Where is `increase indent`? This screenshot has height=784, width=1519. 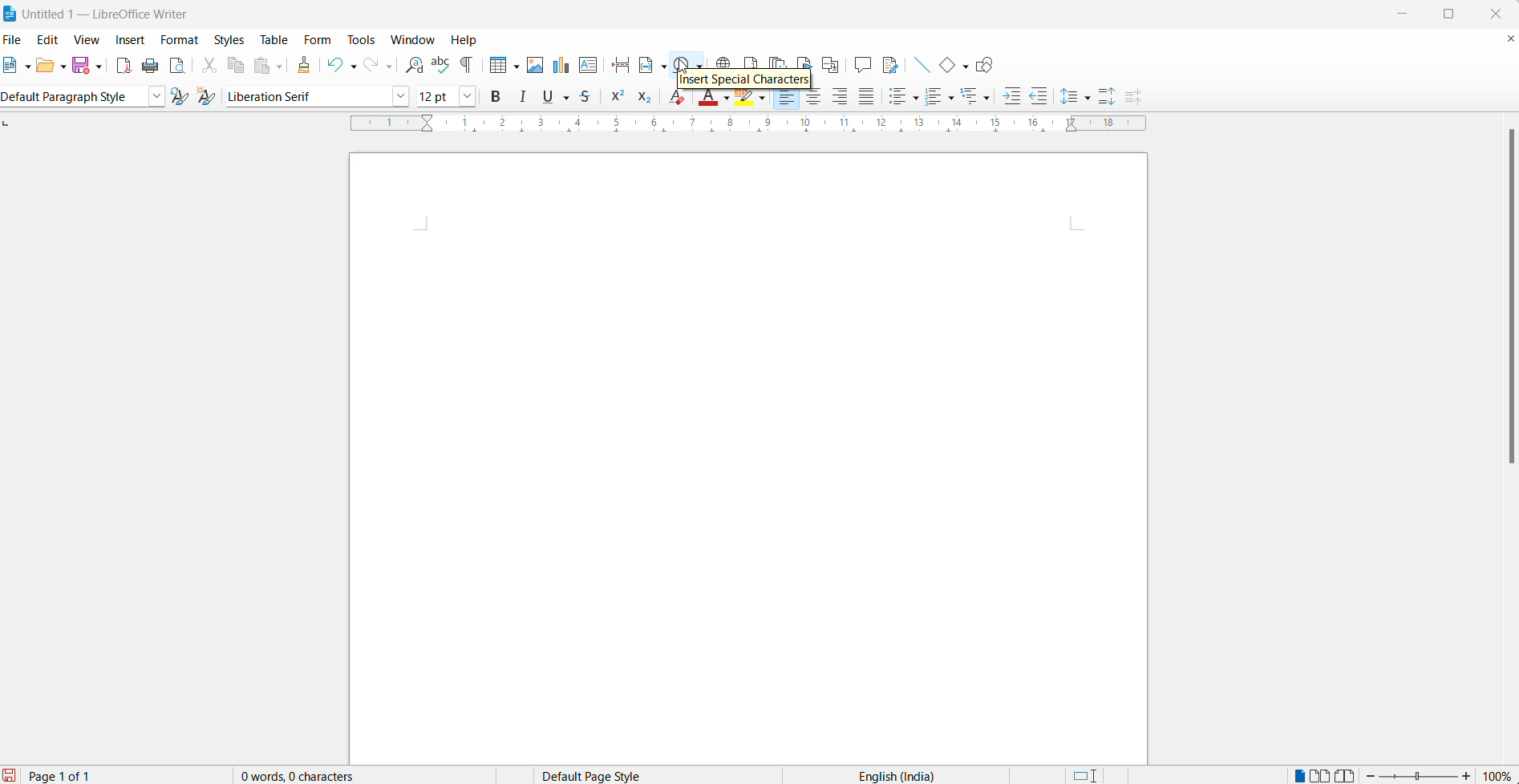 increase indent is located at coordinates (1010, 97).